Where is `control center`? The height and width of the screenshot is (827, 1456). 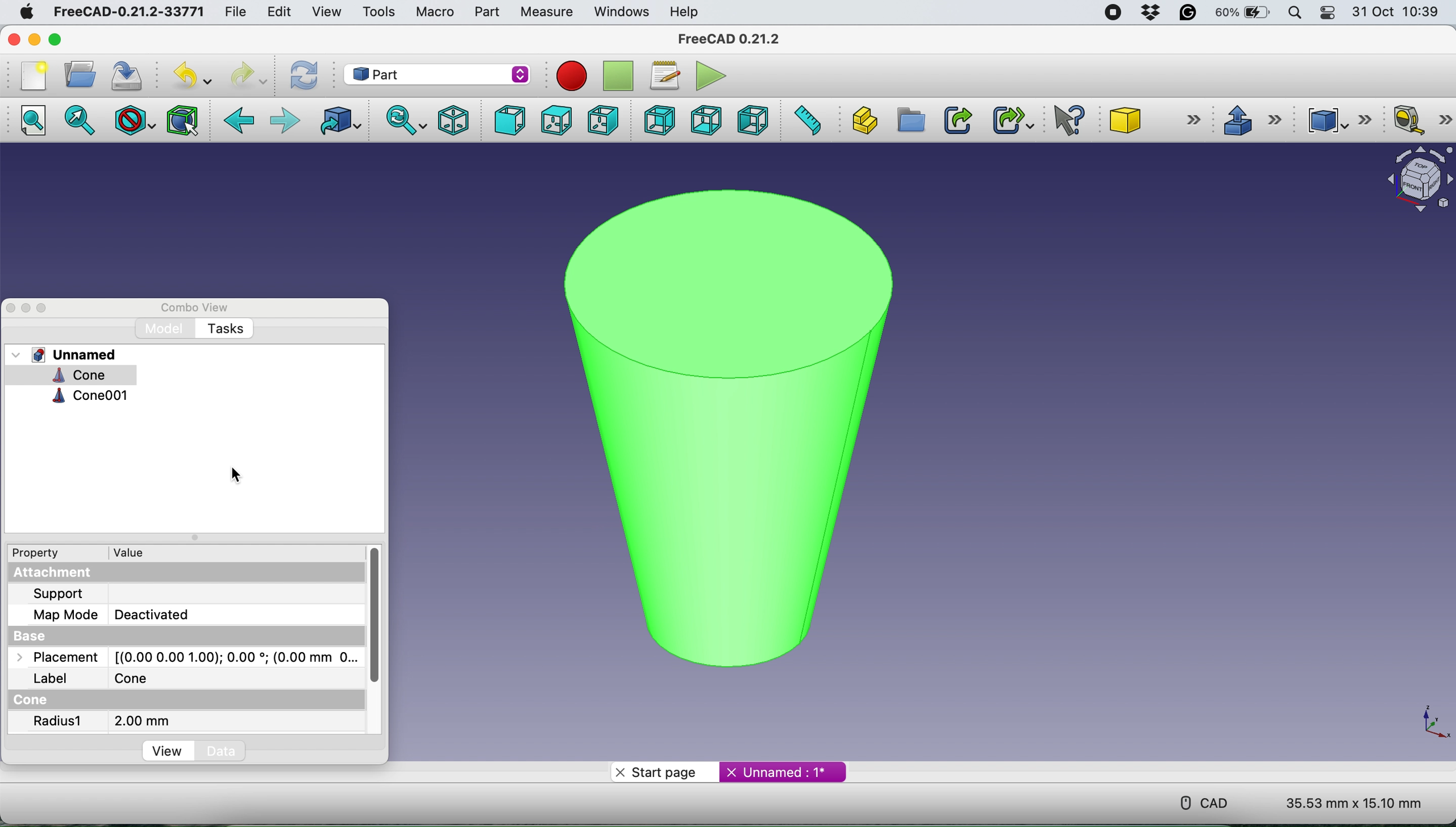 control center is located at coordinates (1329, 14).